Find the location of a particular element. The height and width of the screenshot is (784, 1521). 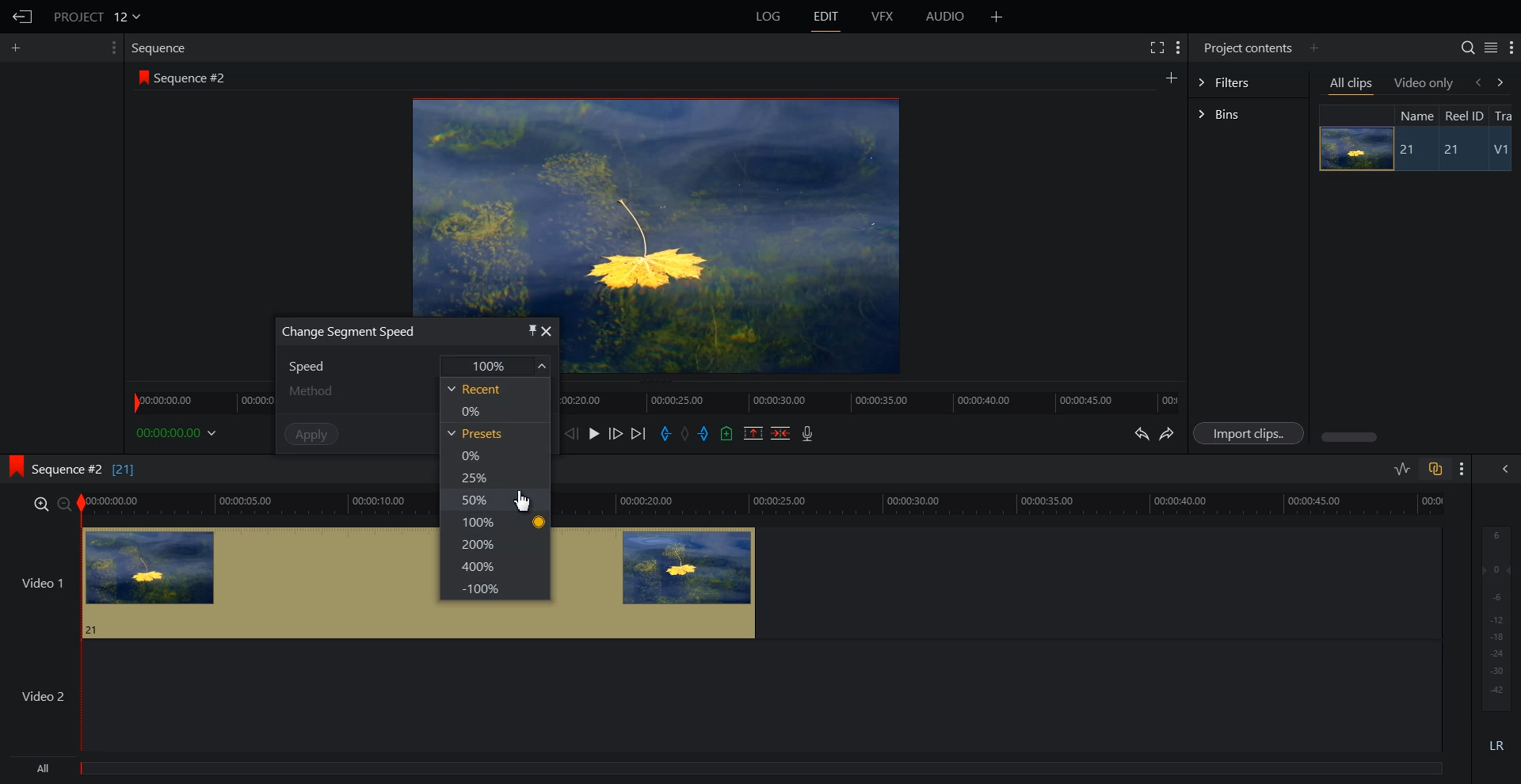

Sequence #2 is located at coordinates (194, 78).